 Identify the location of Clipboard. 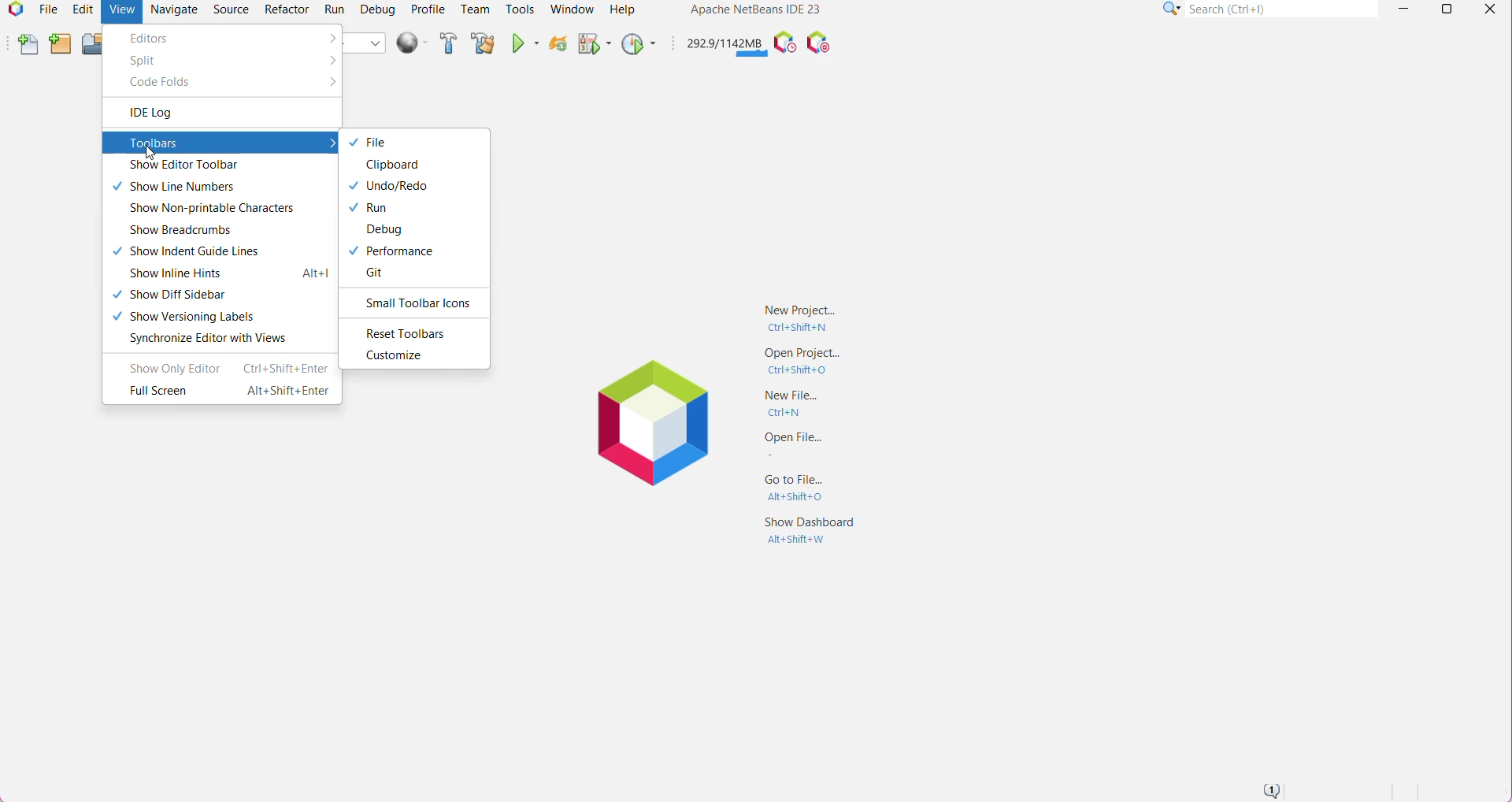
(392, 165).